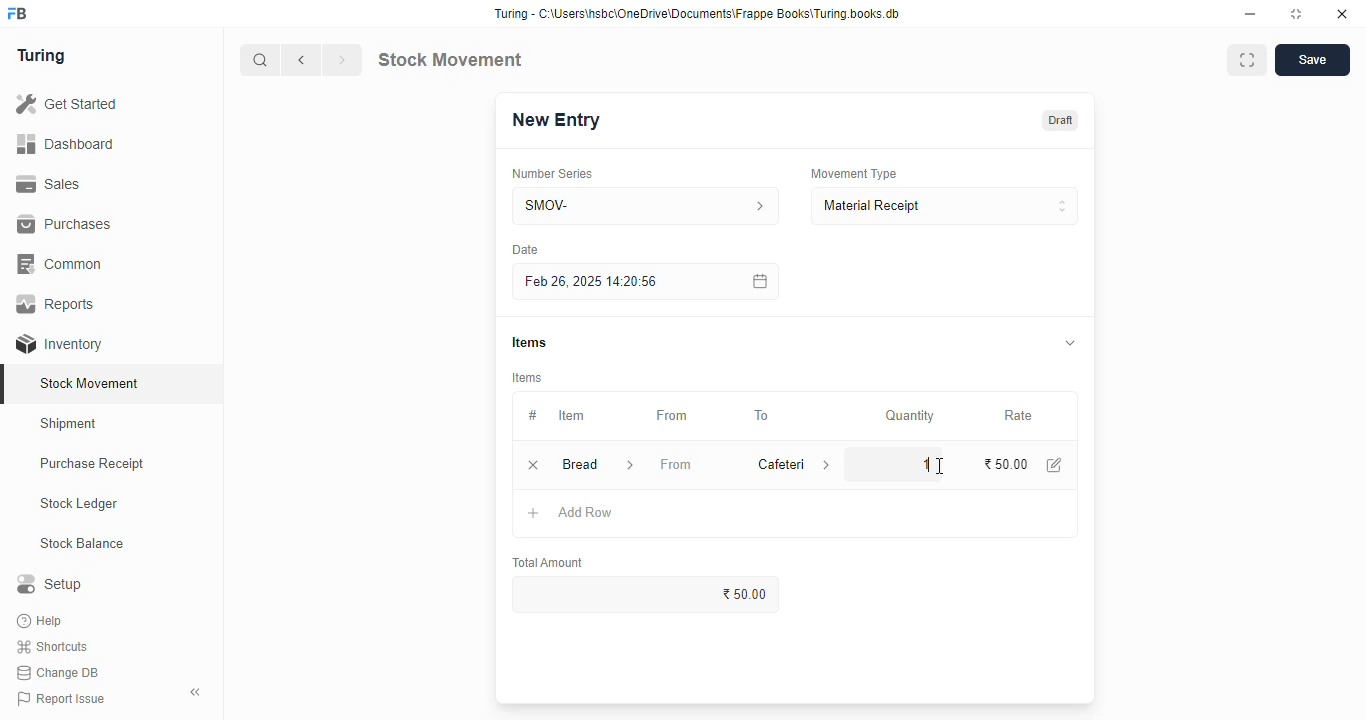 Image resolution: width=1366 pixels, height=720 pixels. I want to click on edit, so click(1055, 465).